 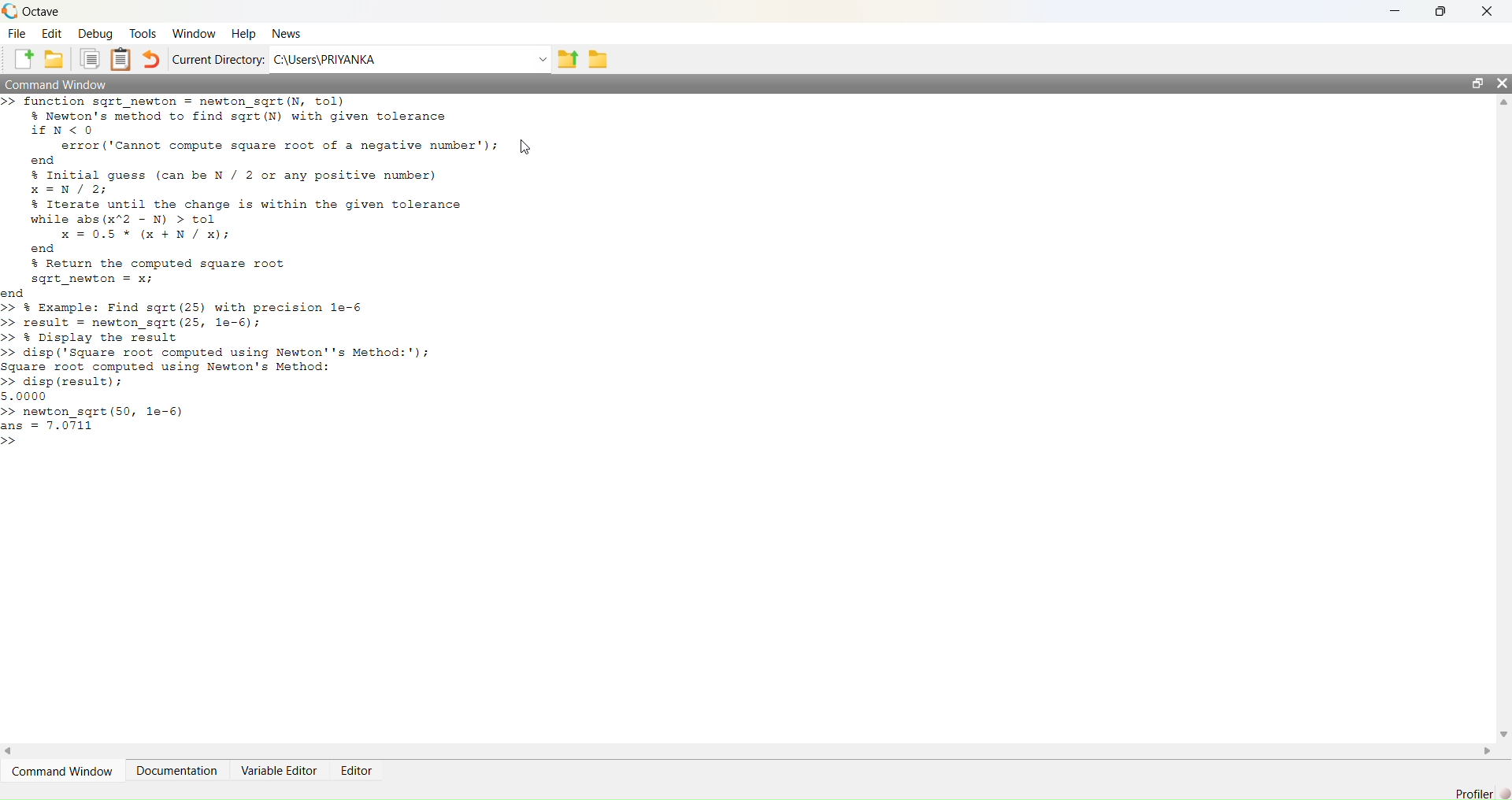 What do you see at coordinates (529, 145) in the screenshot?
I see `Cursor` at bounding box center [529, 145].